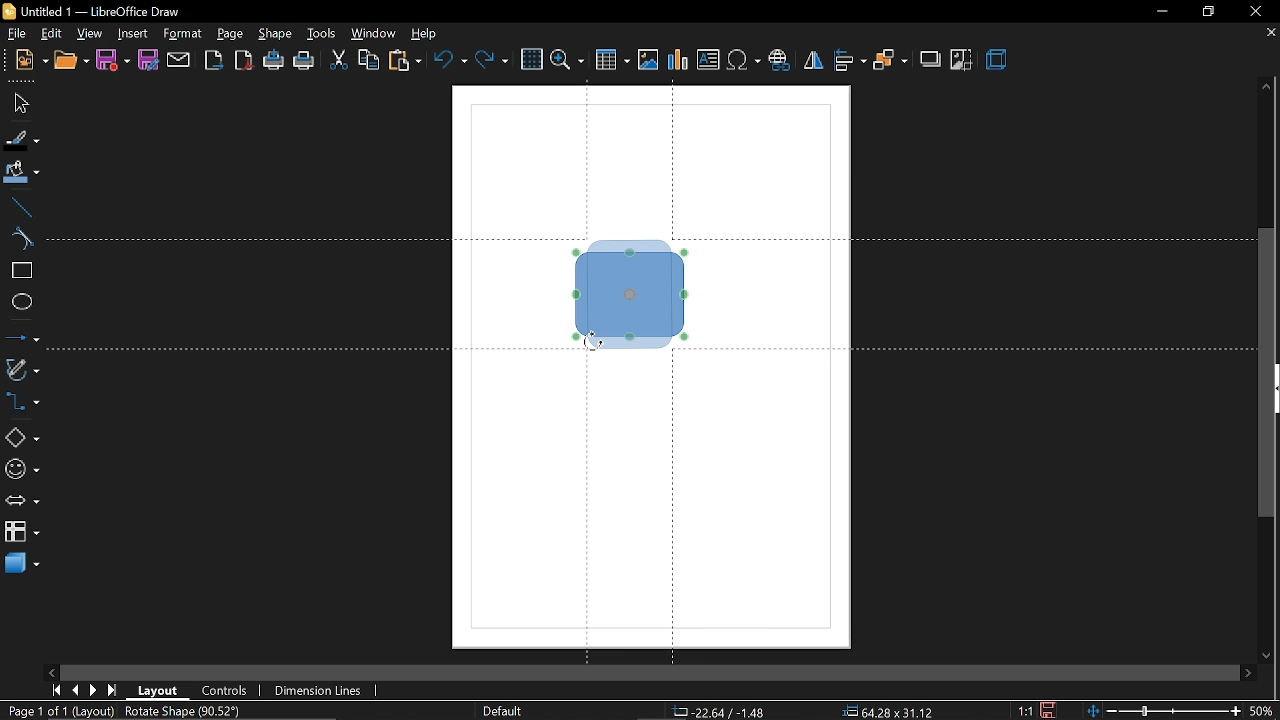 This screenshot has height=720, width=1280. Describe the element at coordinates (17, 104) in the screenshot. I see `select` at that location.